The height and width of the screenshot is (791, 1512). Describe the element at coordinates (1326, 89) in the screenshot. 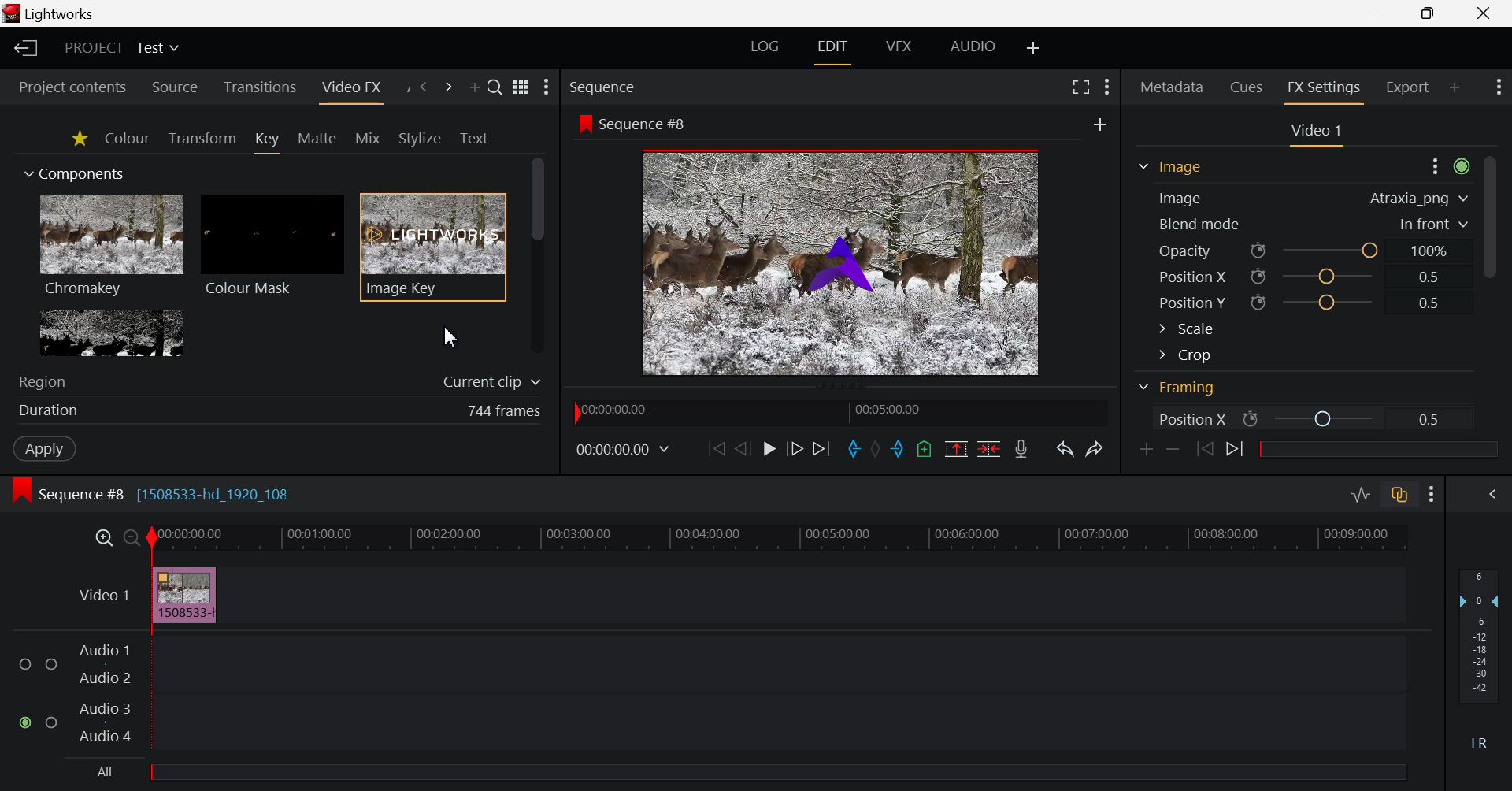

I see `FX Settings` at that location.